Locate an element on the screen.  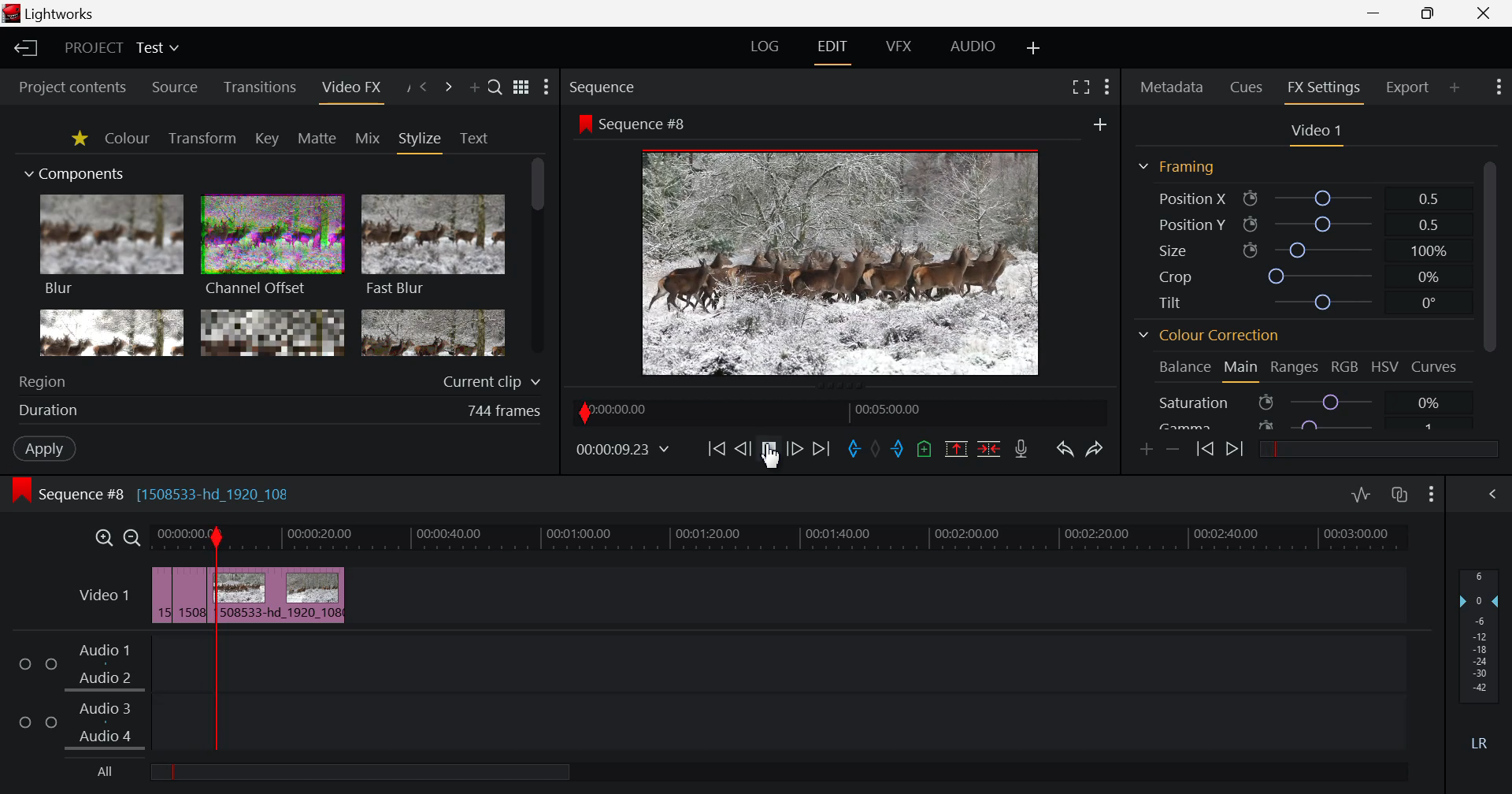
Mosaic is located at coordinates (271, 332).